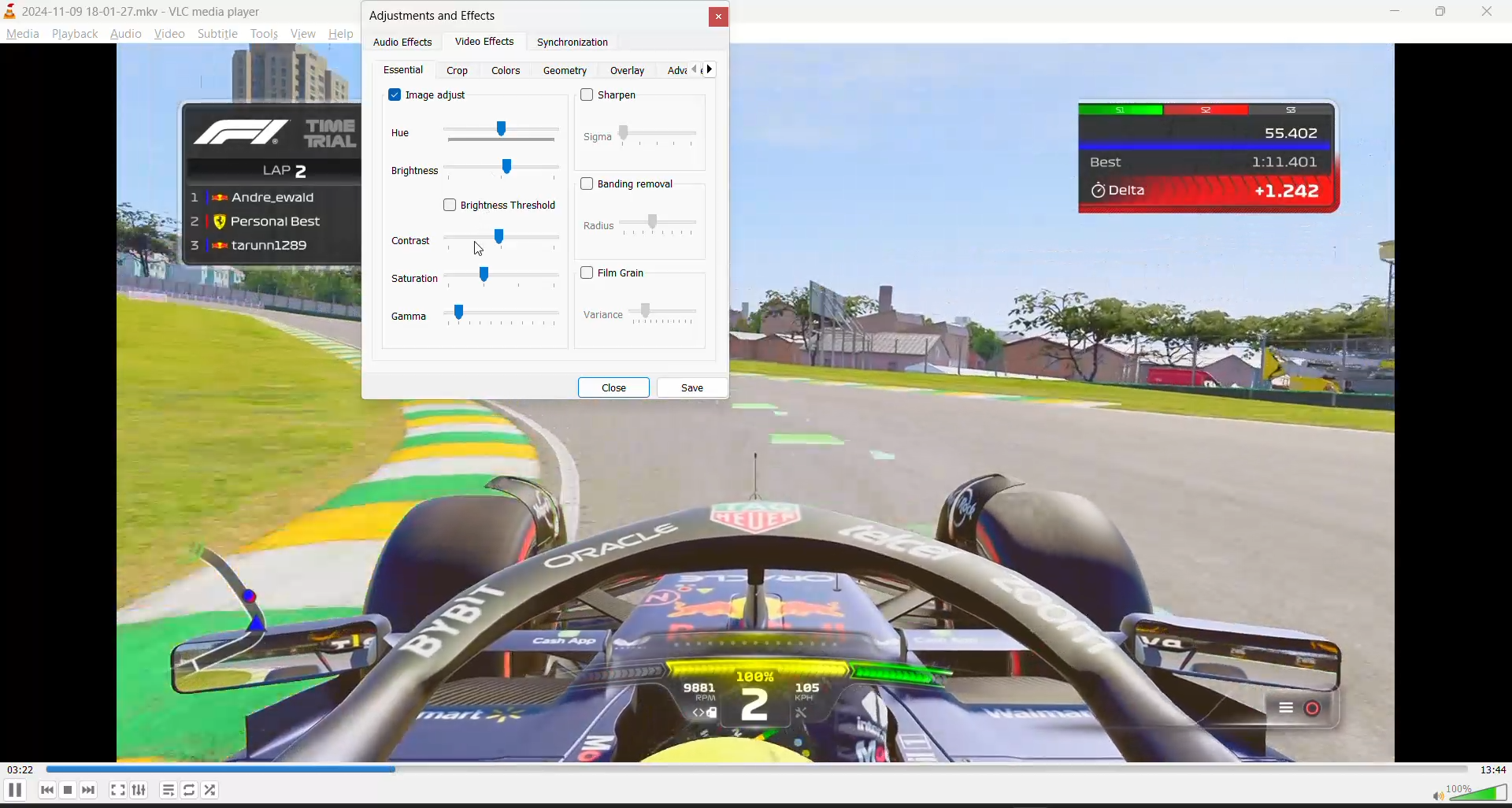 The height and width of the screenshot is (808, 1512). What do you see at coordinates (758, 769) in the screenshot?
I see `track slider` at bounding box center [758, 769].